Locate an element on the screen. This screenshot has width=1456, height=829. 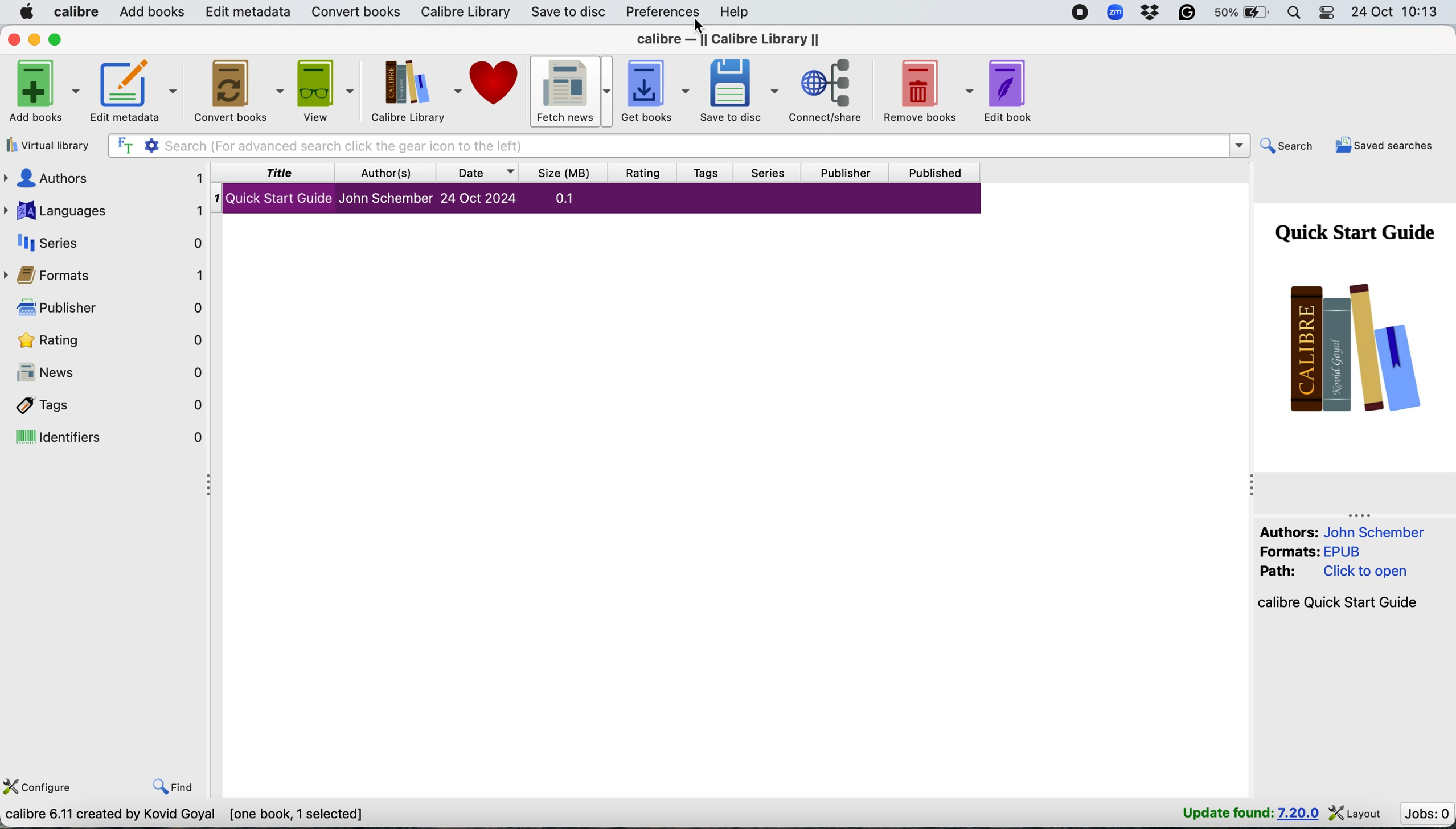
series is located at coordinates (107, 243).